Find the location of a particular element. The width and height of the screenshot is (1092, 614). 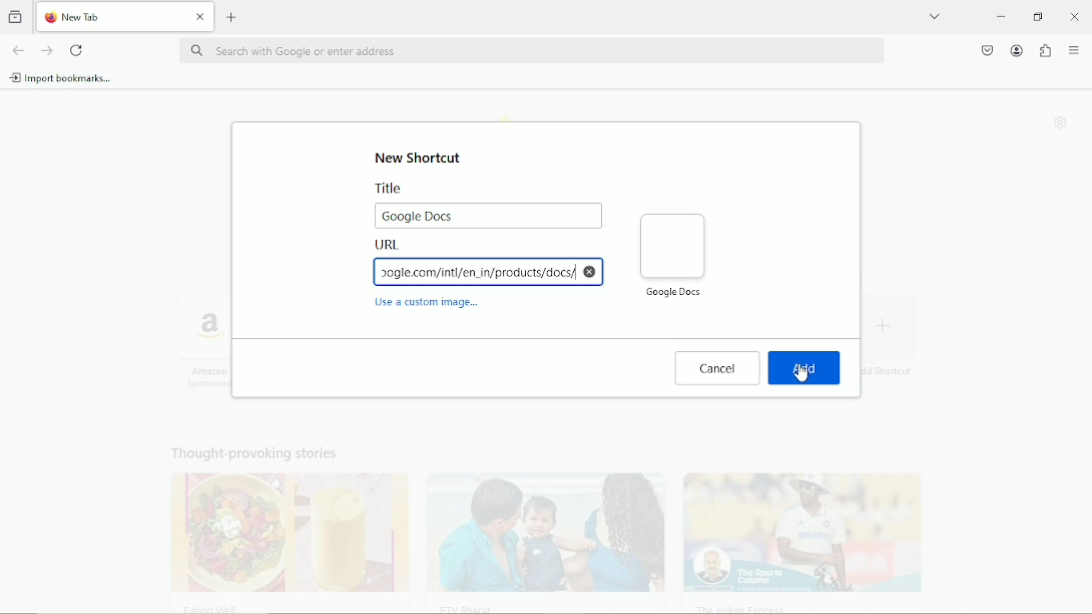

list all tabs is located at coordinates (934, 15).